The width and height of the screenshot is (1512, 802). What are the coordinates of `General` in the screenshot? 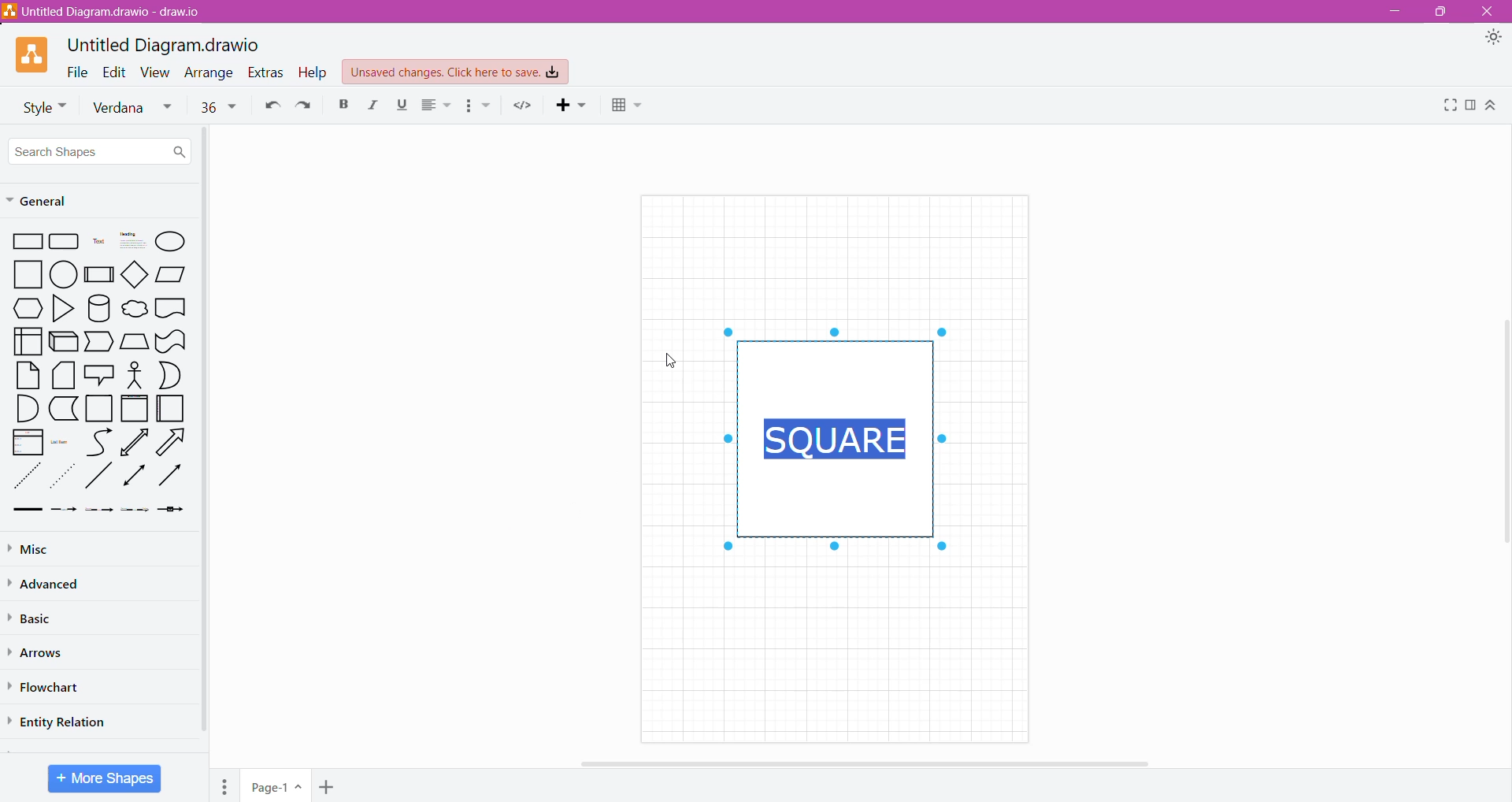 It's located at (53, 202).